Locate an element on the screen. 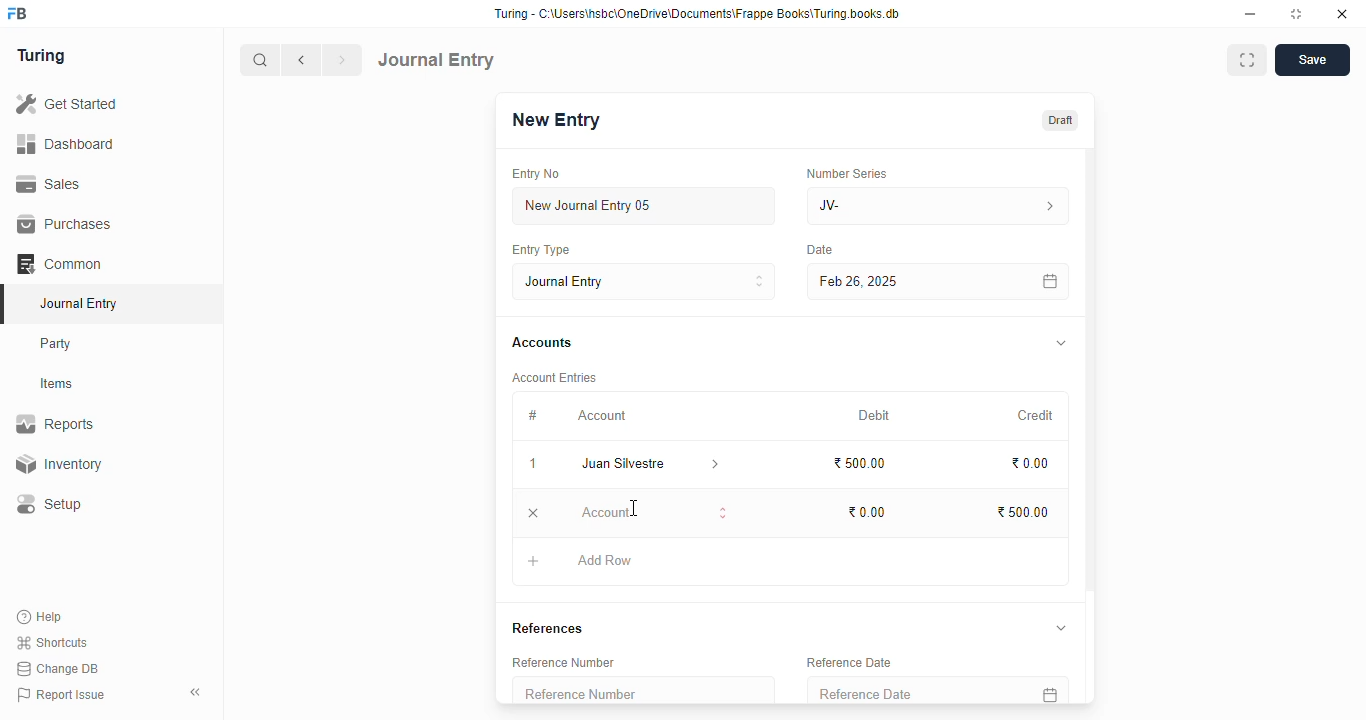 The height and width of the screenshot is (720, 1366). calendar icon is located at coordinates (1049, 691).